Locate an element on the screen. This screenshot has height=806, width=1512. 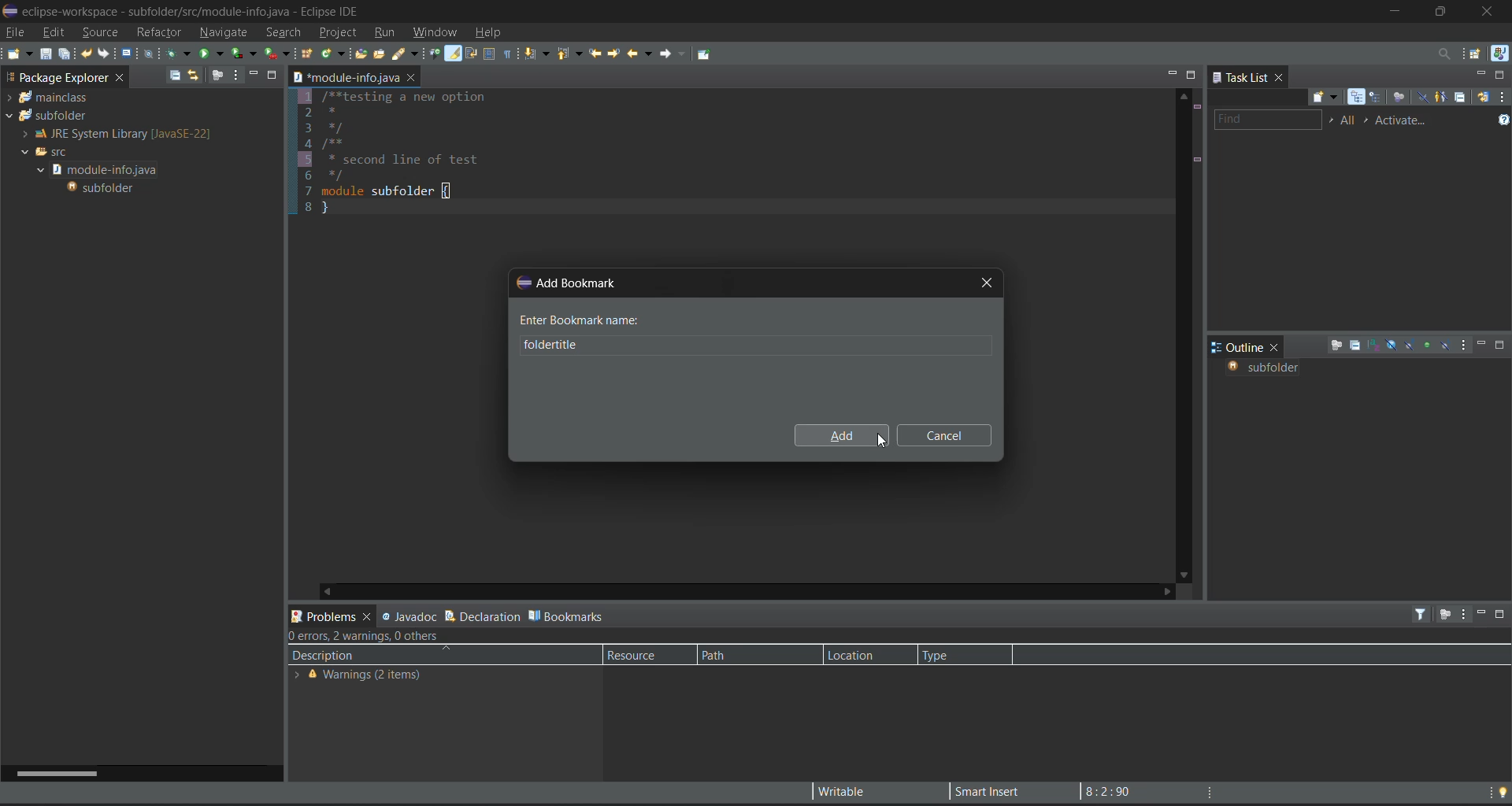
subfolder is located at coordinates (104, 187).